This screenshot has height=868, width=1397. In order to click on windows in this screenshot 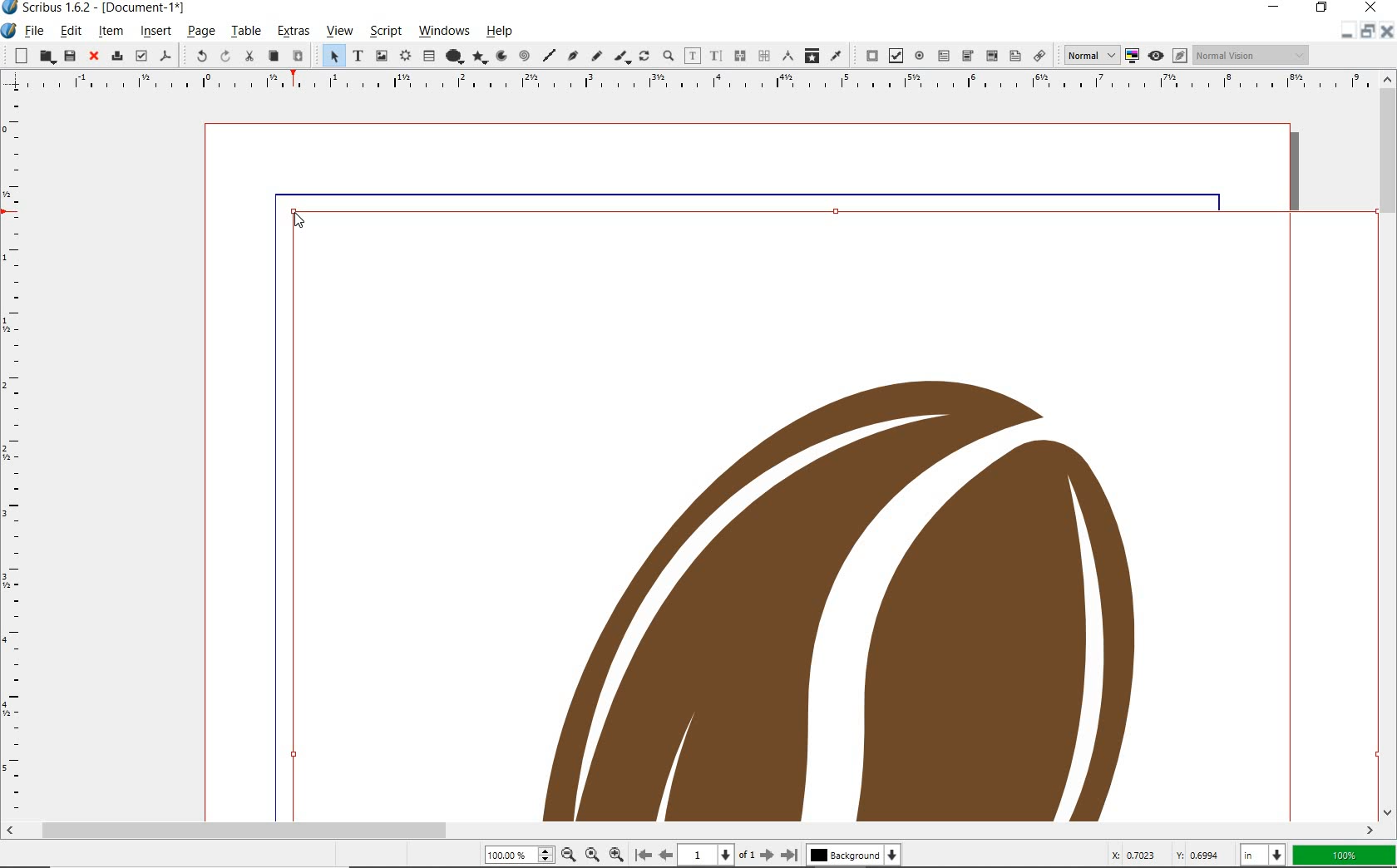, I will do `click(443, 30)`.